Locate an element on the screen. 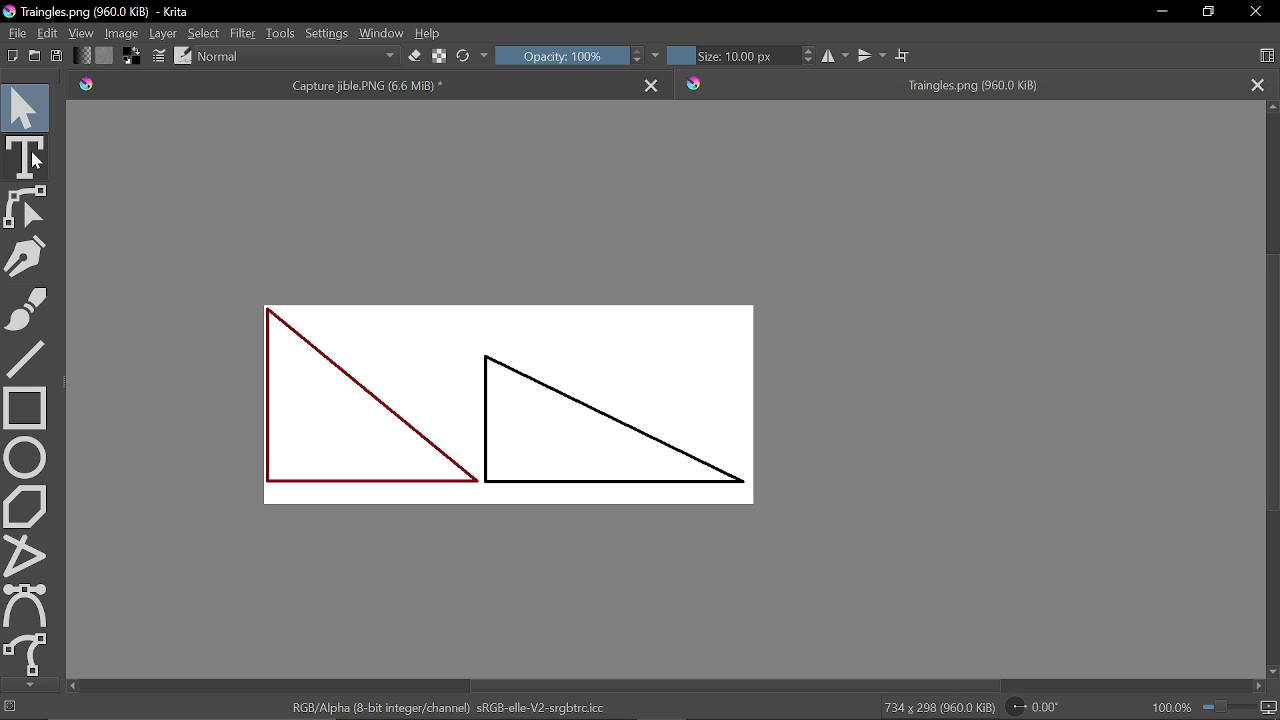  Edit brush settings is located at coordinates (438, 55).